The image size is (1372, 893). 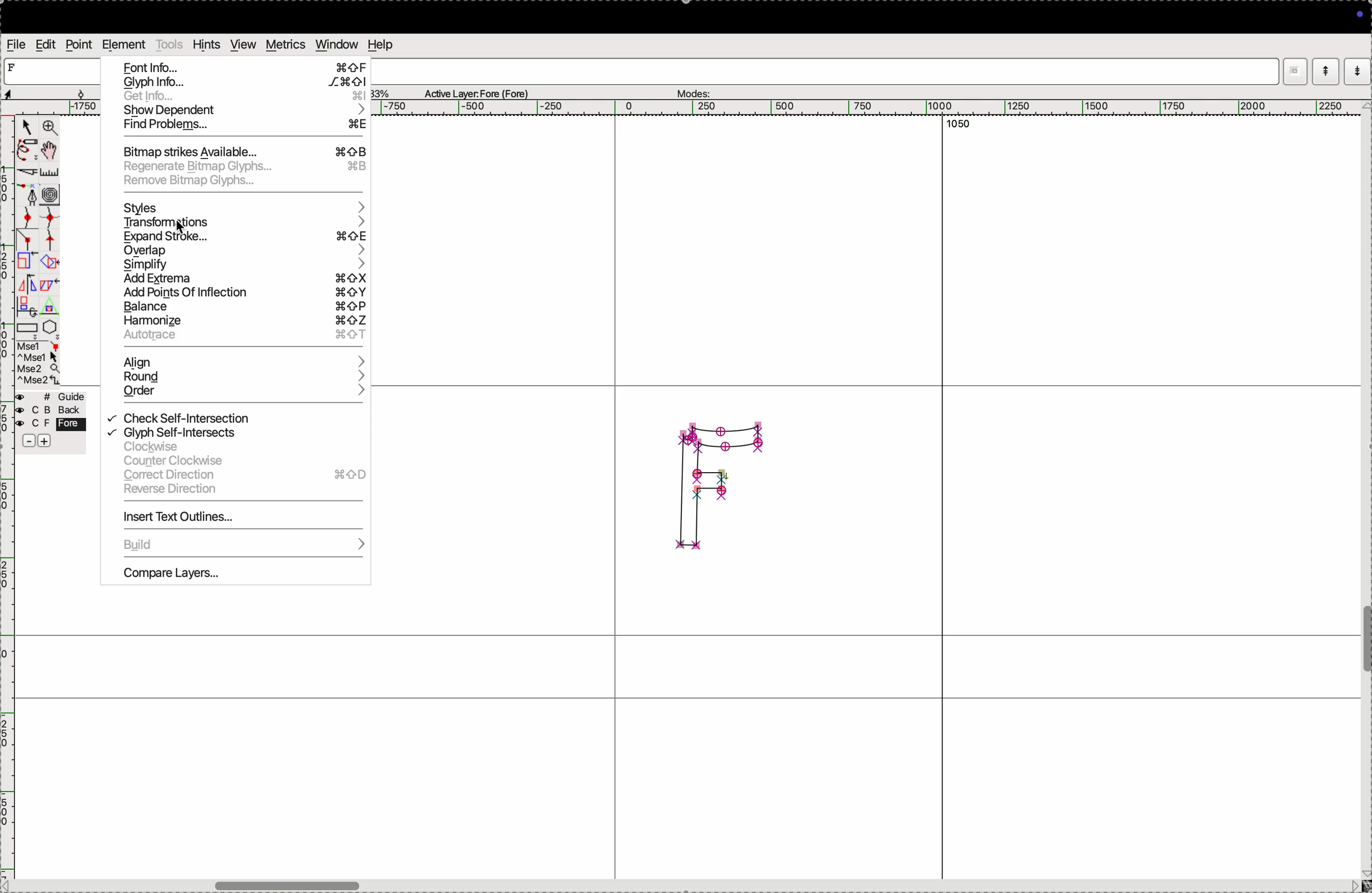 What do you see at coordinates (17, 44) in the screenshot?
I see `file` at bounding box center [17, 44].